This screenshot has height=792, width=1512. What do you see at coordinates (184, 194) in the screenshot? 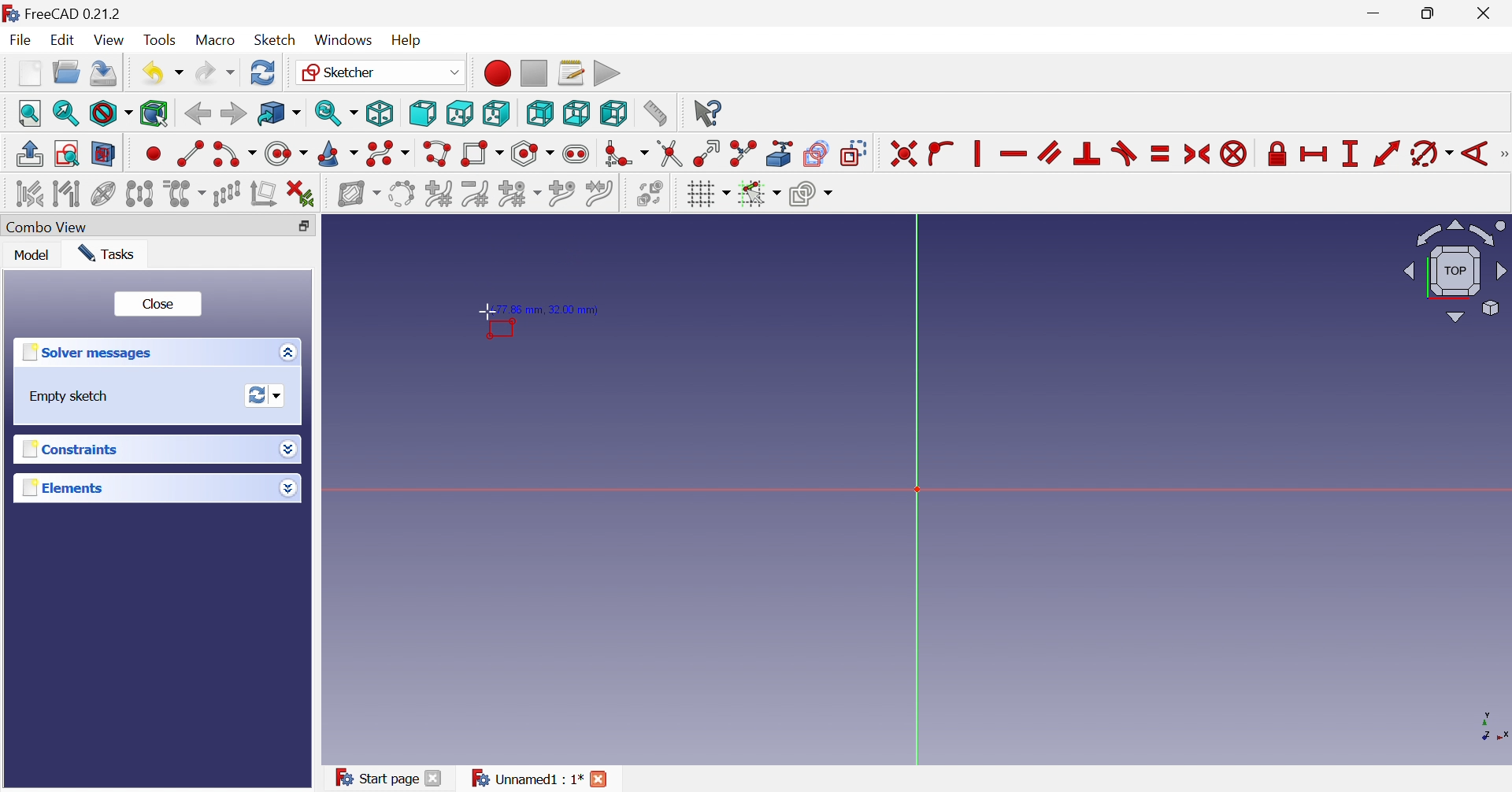
I see `Clone` at bounding box center [184, 194].